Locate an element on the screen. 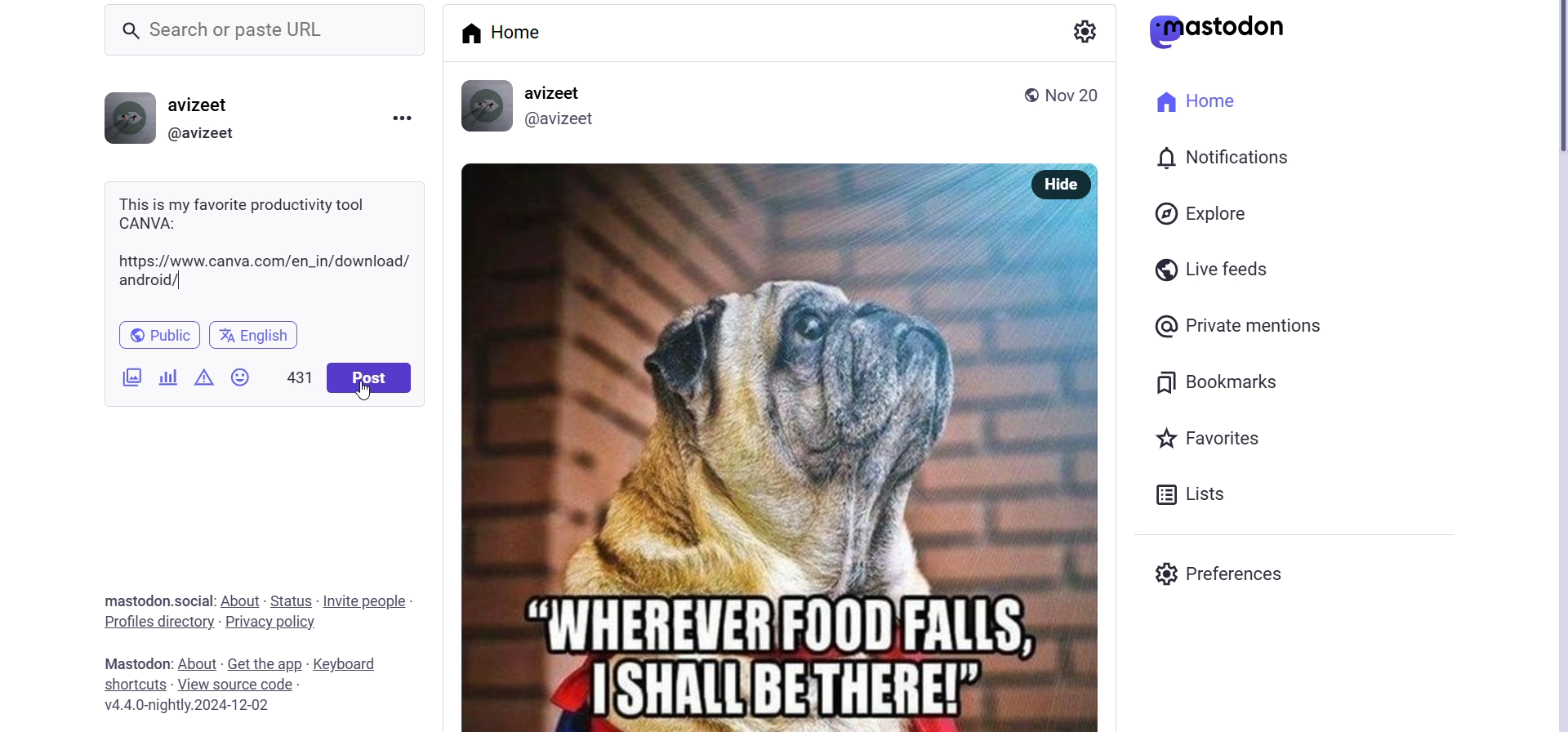 Image resolution: width=1568 pixels, height=732 pixels. hide is located at coordinates (1065, 184).